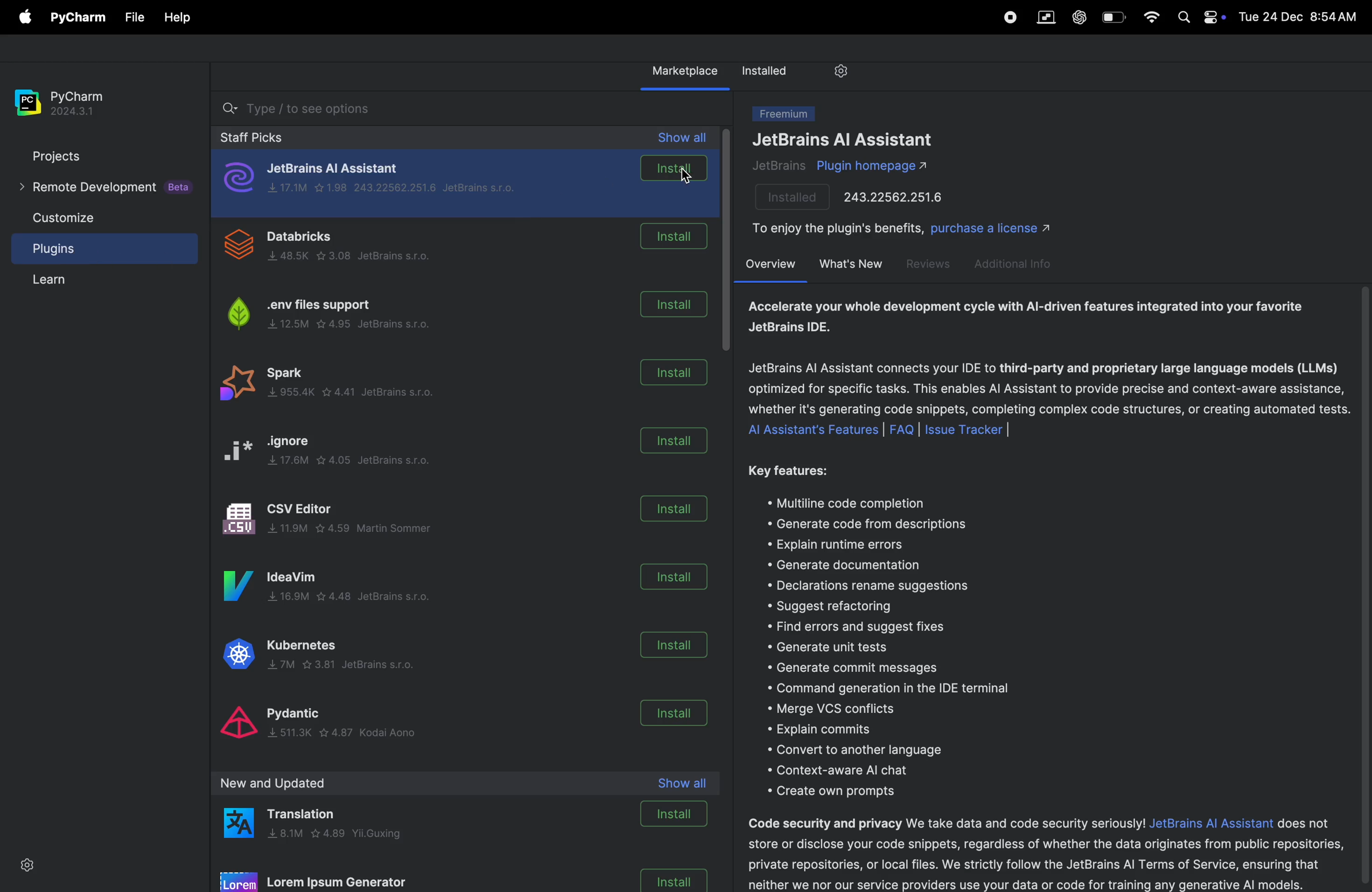 This screenshot has height=892, width=1372. What do you see at coordinates (1050, 370) in the screenshot?
I see `ai assistant description` at bounding box center [1050, 370].